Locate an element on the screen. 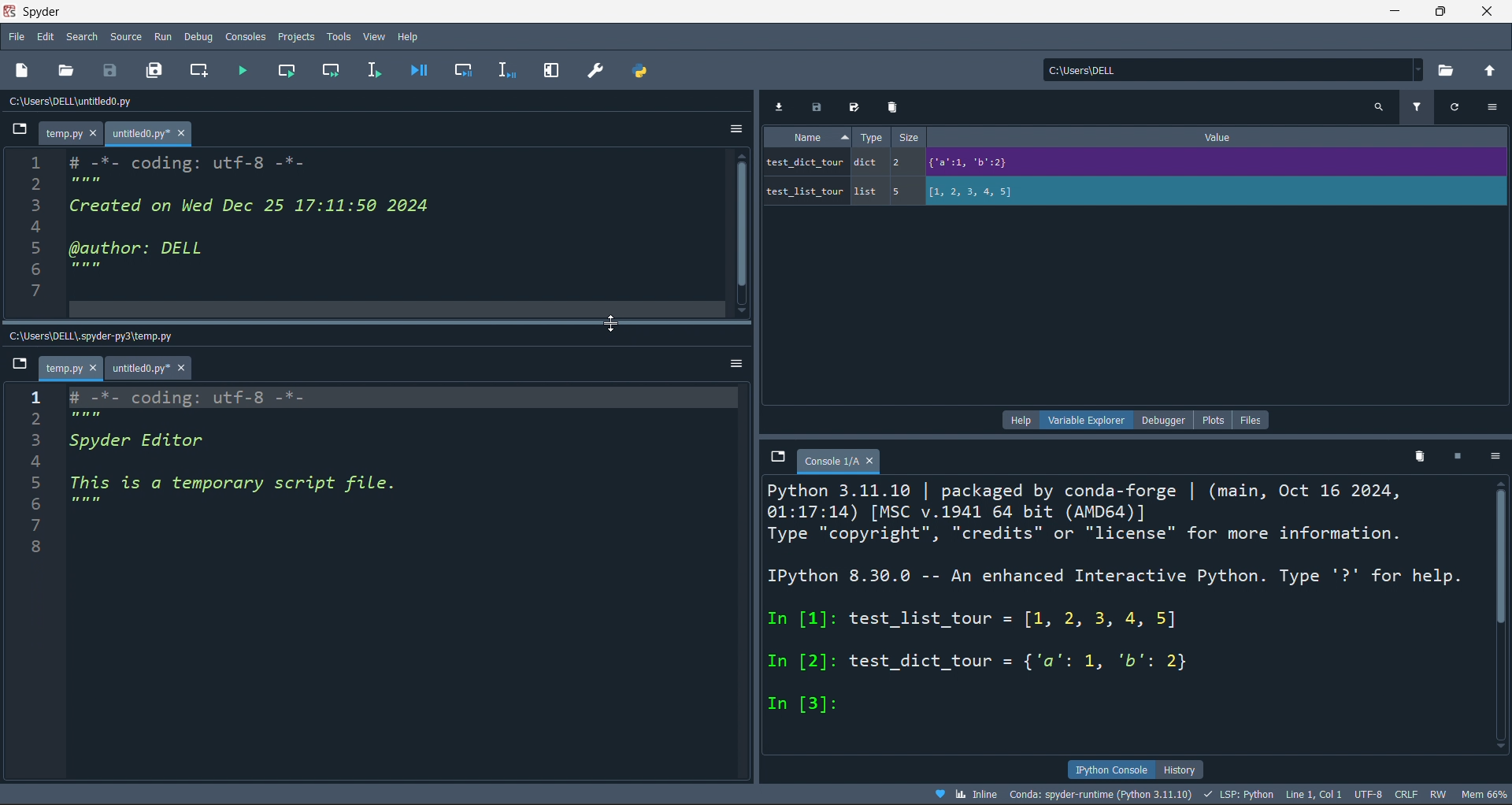 The image size is (1512, 805). untitledo.py™ is located at coordinates (158, 133).